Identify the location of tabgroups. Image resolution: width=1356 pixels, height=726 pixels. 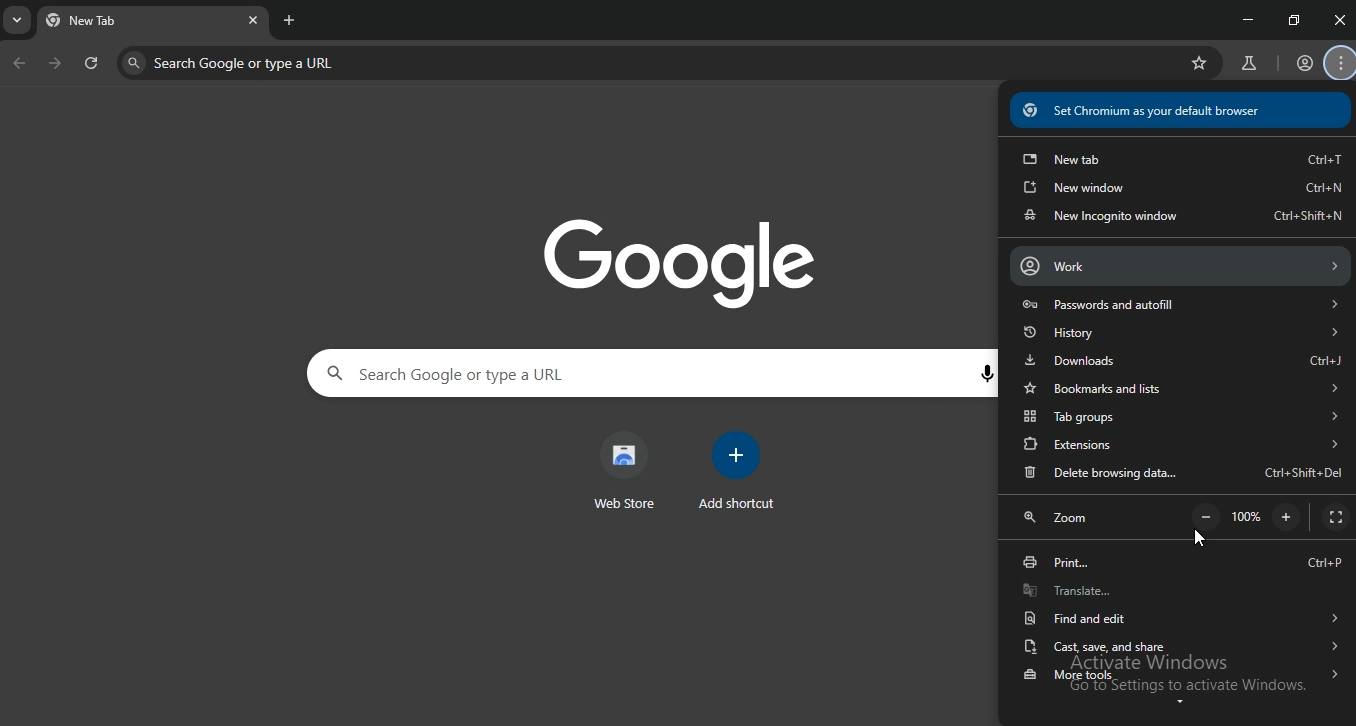
(1182, 417).